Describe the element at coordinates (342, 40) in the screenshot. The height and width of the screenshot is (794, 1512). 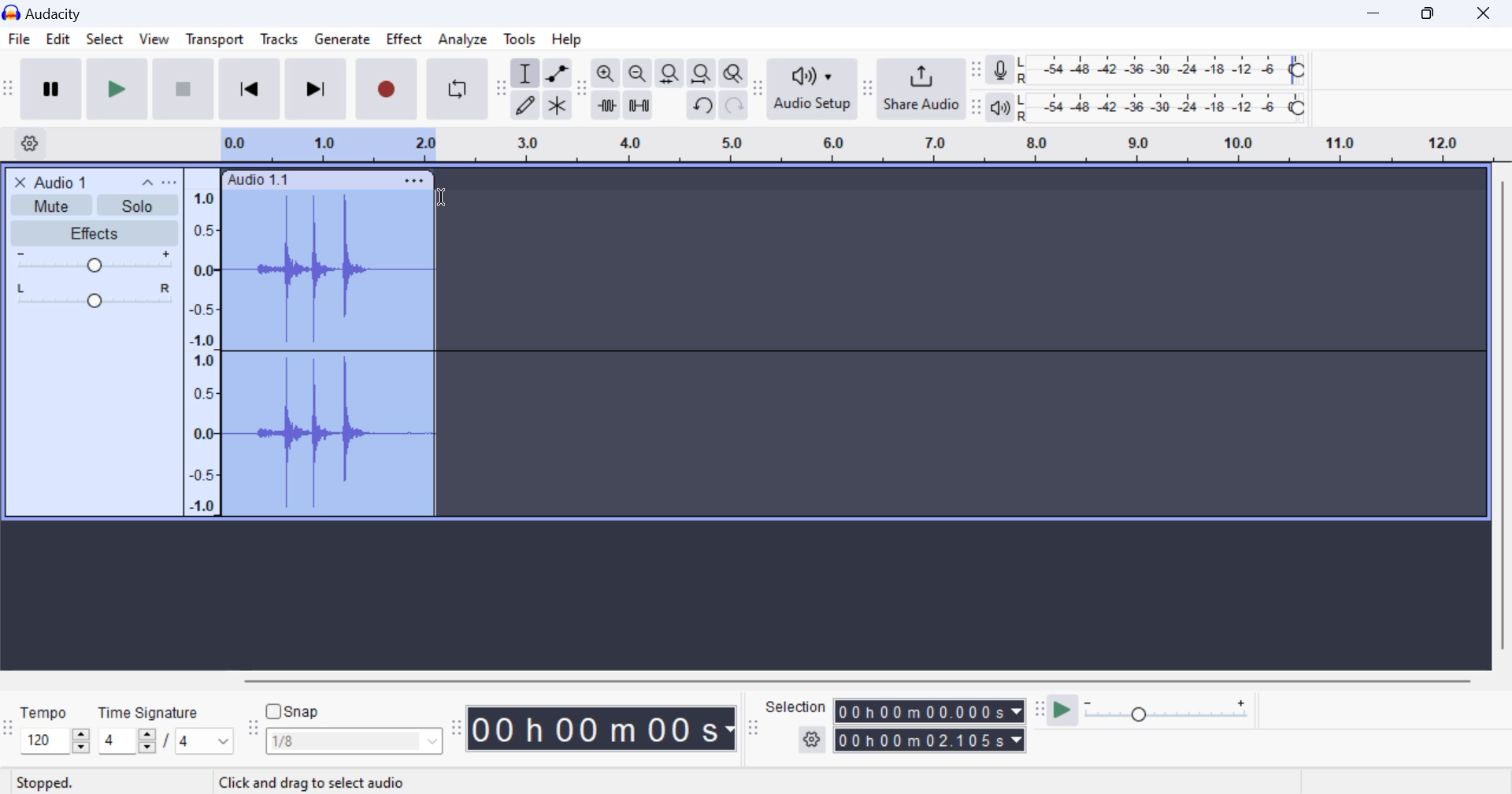
I see `Generate` at that location.